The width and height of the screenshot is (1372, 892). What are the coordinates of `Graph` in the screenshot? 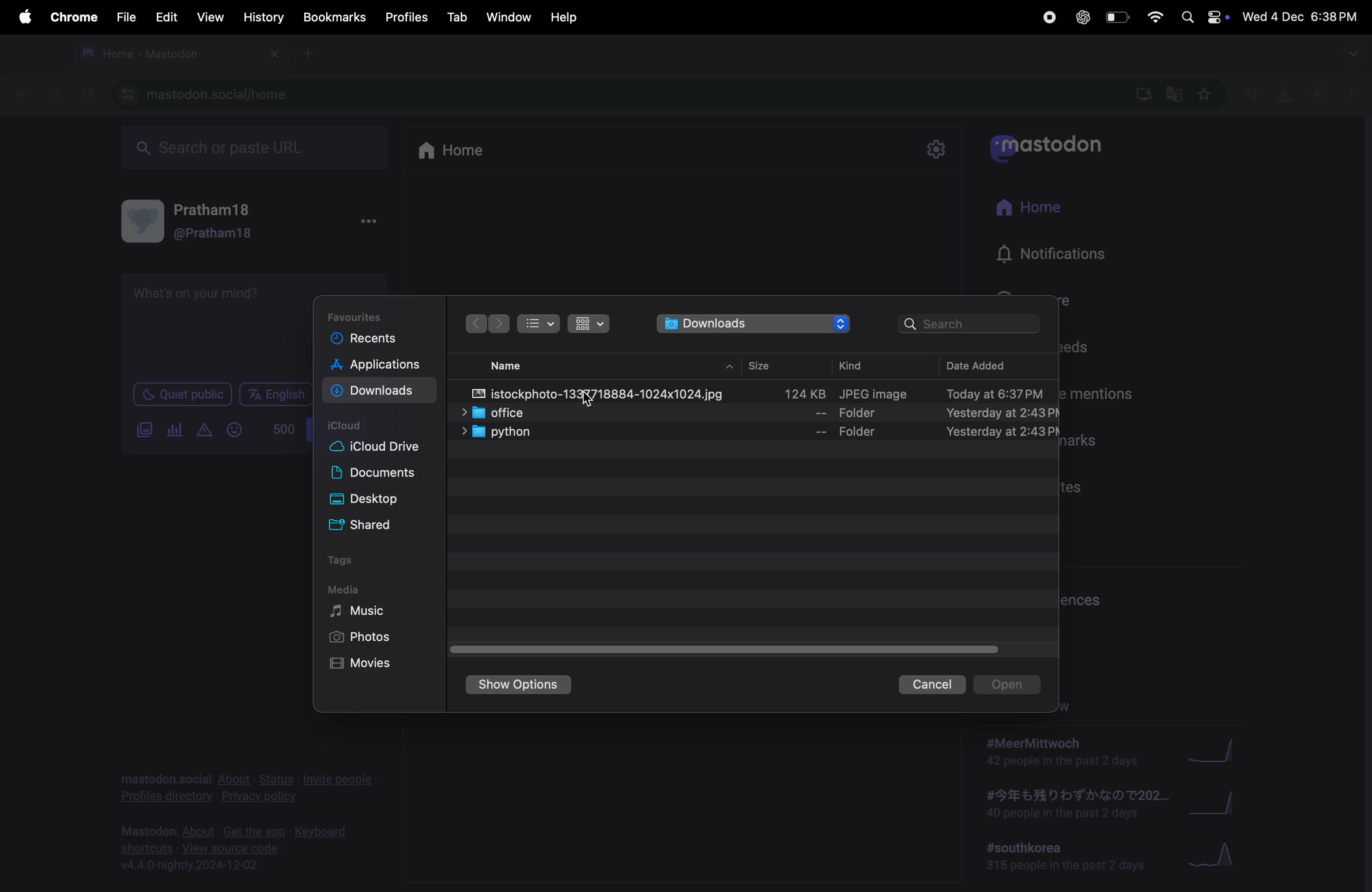 It's located at (1218, 857).